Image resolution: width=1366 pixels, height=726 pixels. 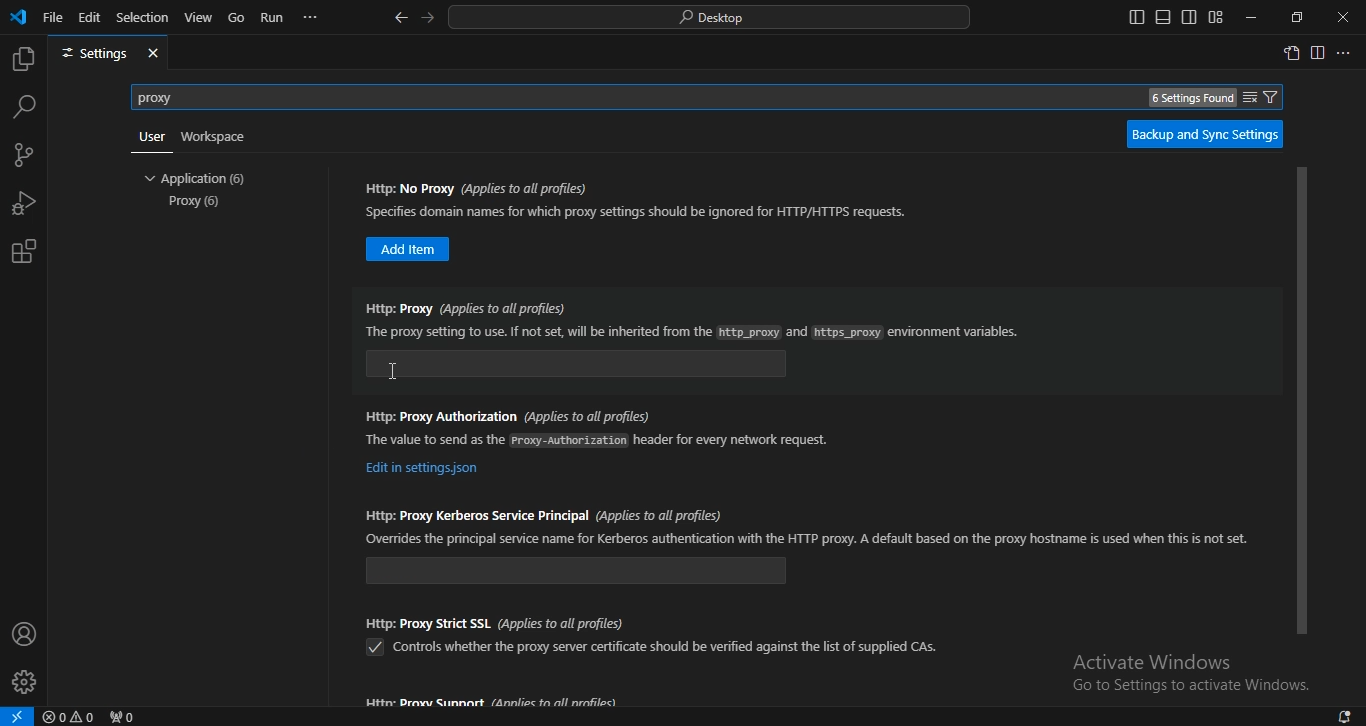 I want to click on https: proxy strict SSL, so click(x=496, y=621).